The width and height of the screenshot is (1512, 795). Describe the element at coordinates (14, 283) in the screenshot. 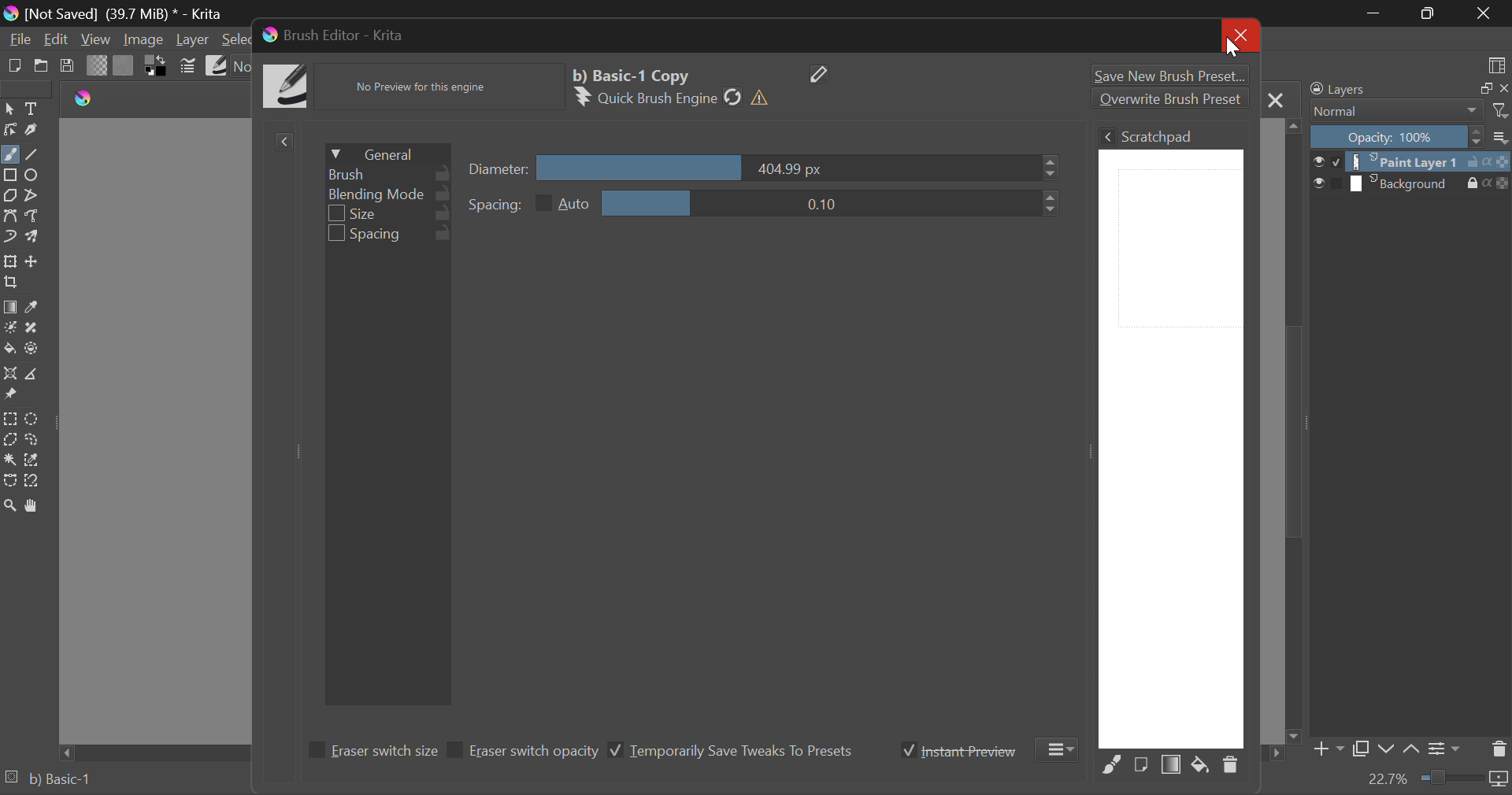

I see `Crop Layer` at that location.